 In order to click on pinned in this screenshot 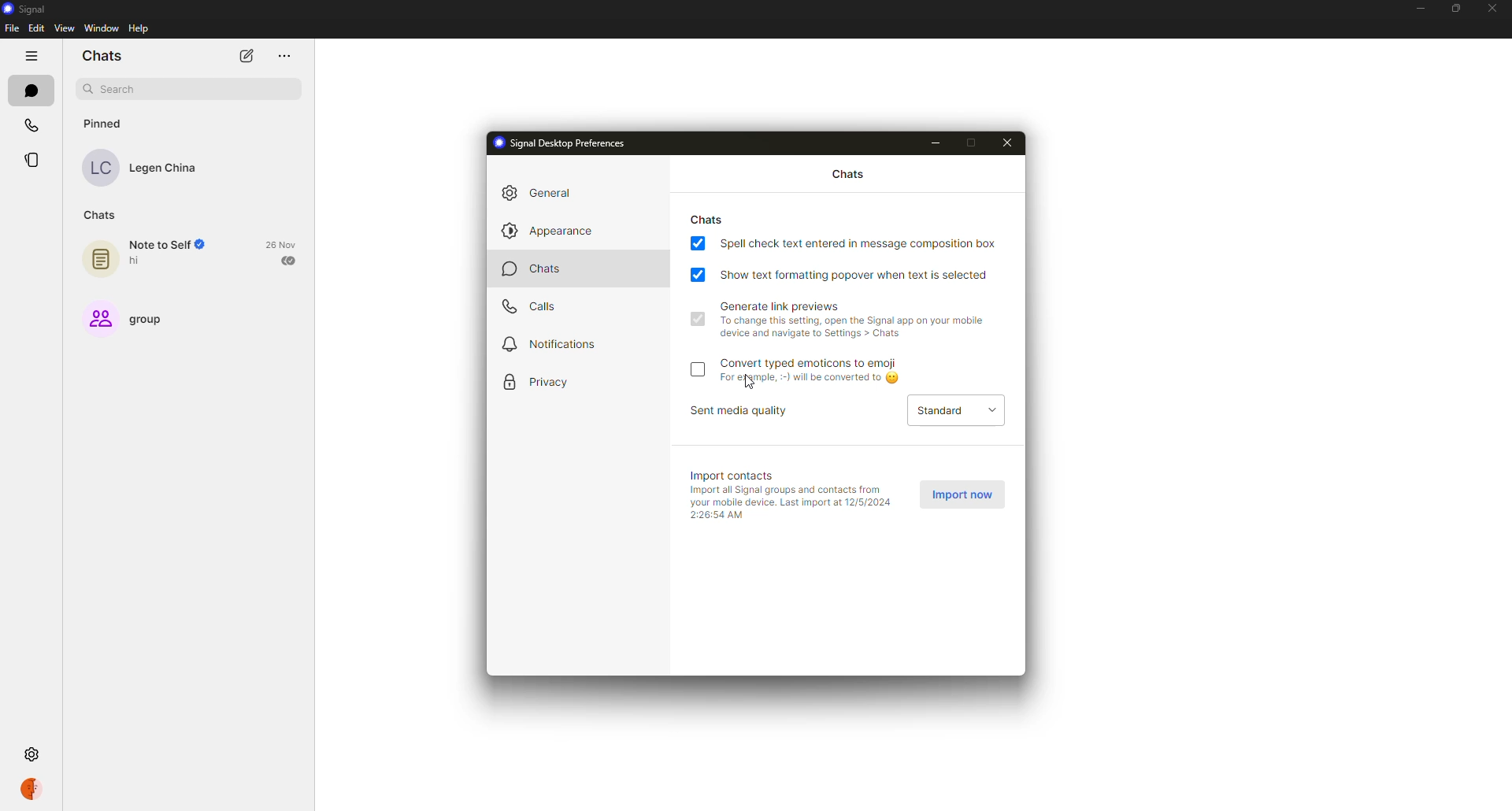, I will do `click(102, 124)`.